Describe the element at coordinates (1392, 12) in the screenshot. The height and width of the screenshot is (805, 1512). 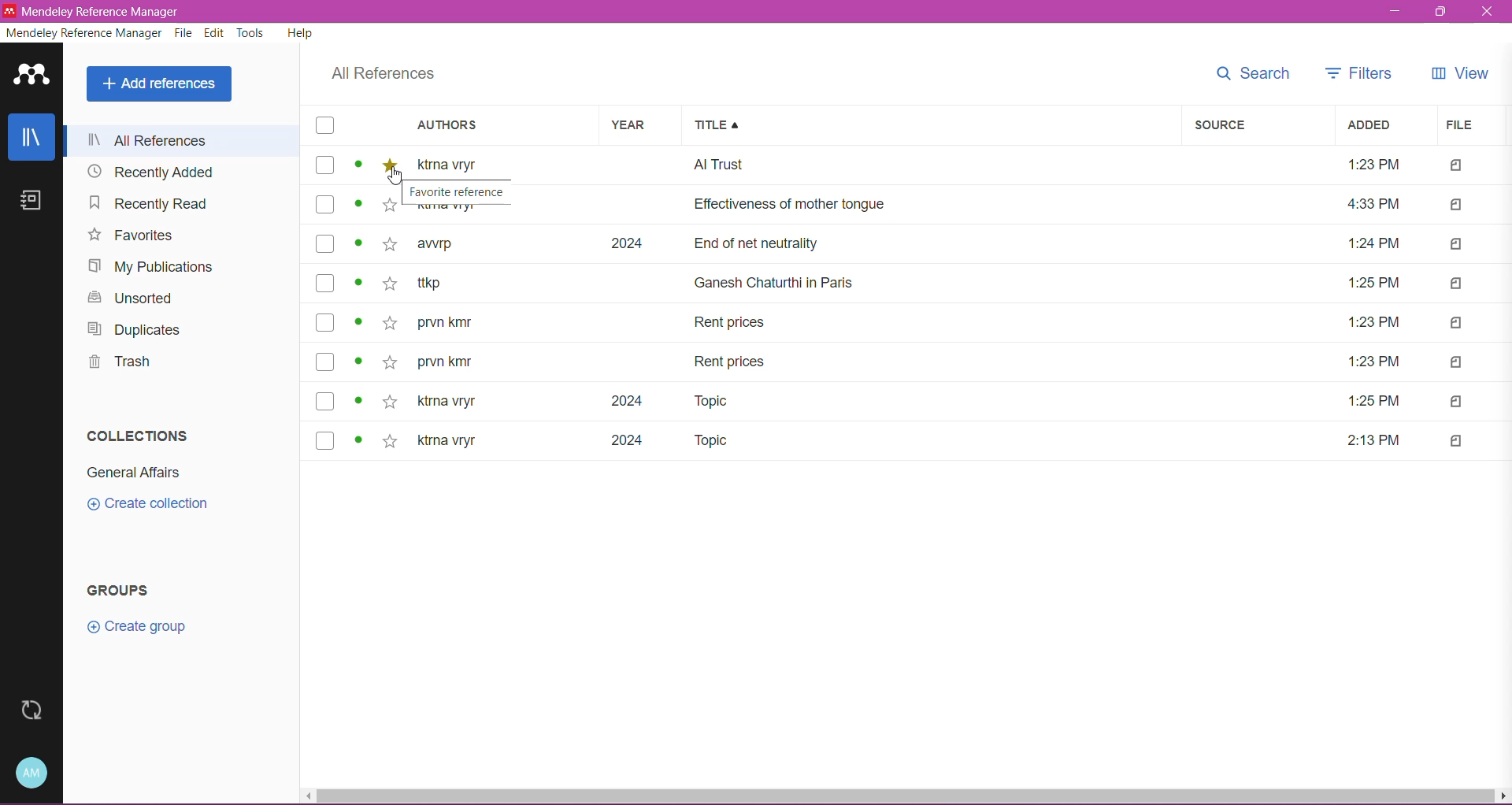
I see `Minimize` at that location.